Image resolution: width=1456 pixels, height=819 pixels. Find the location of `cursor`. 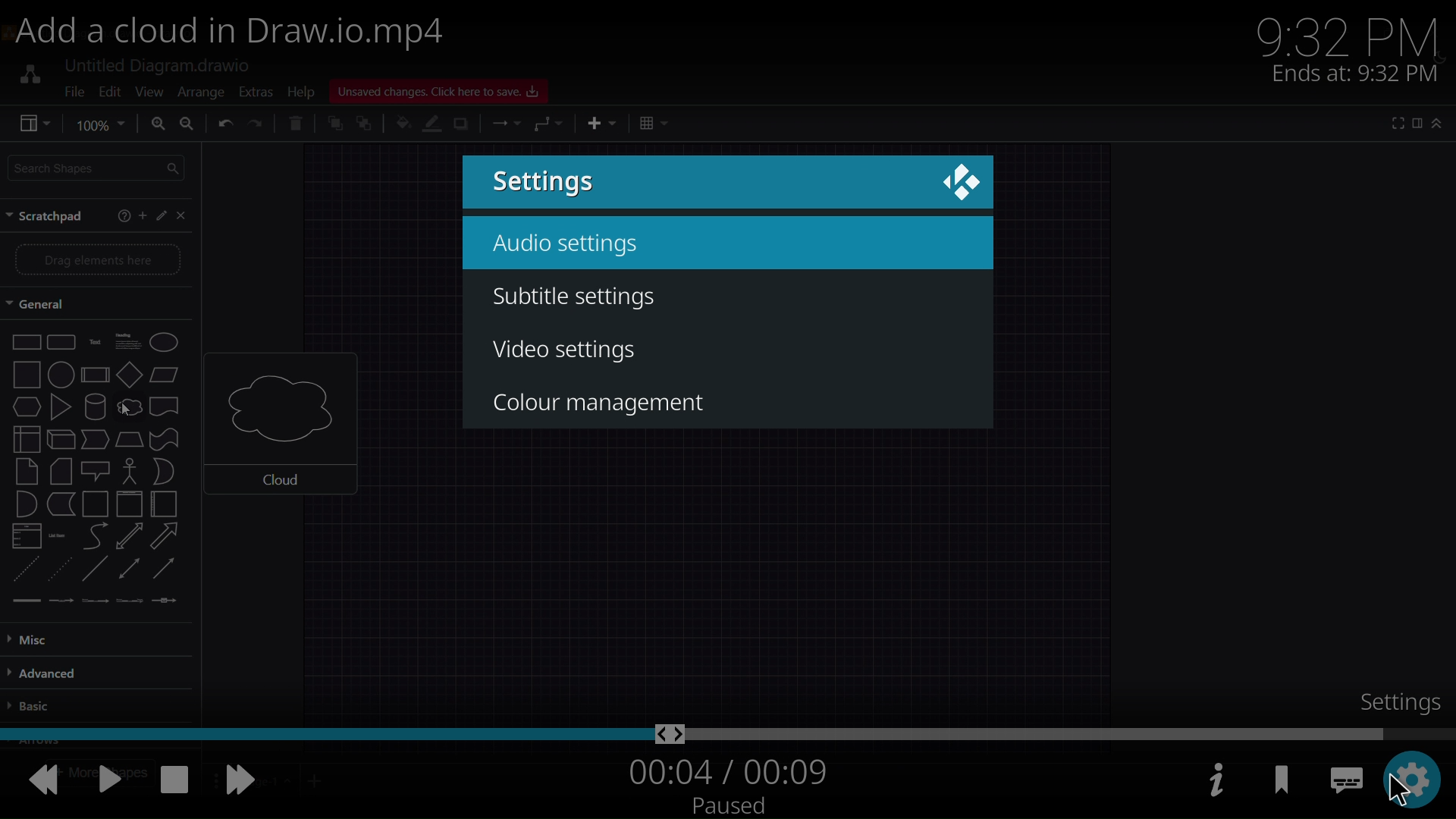

cursor is located at coordinates (1393, 789).